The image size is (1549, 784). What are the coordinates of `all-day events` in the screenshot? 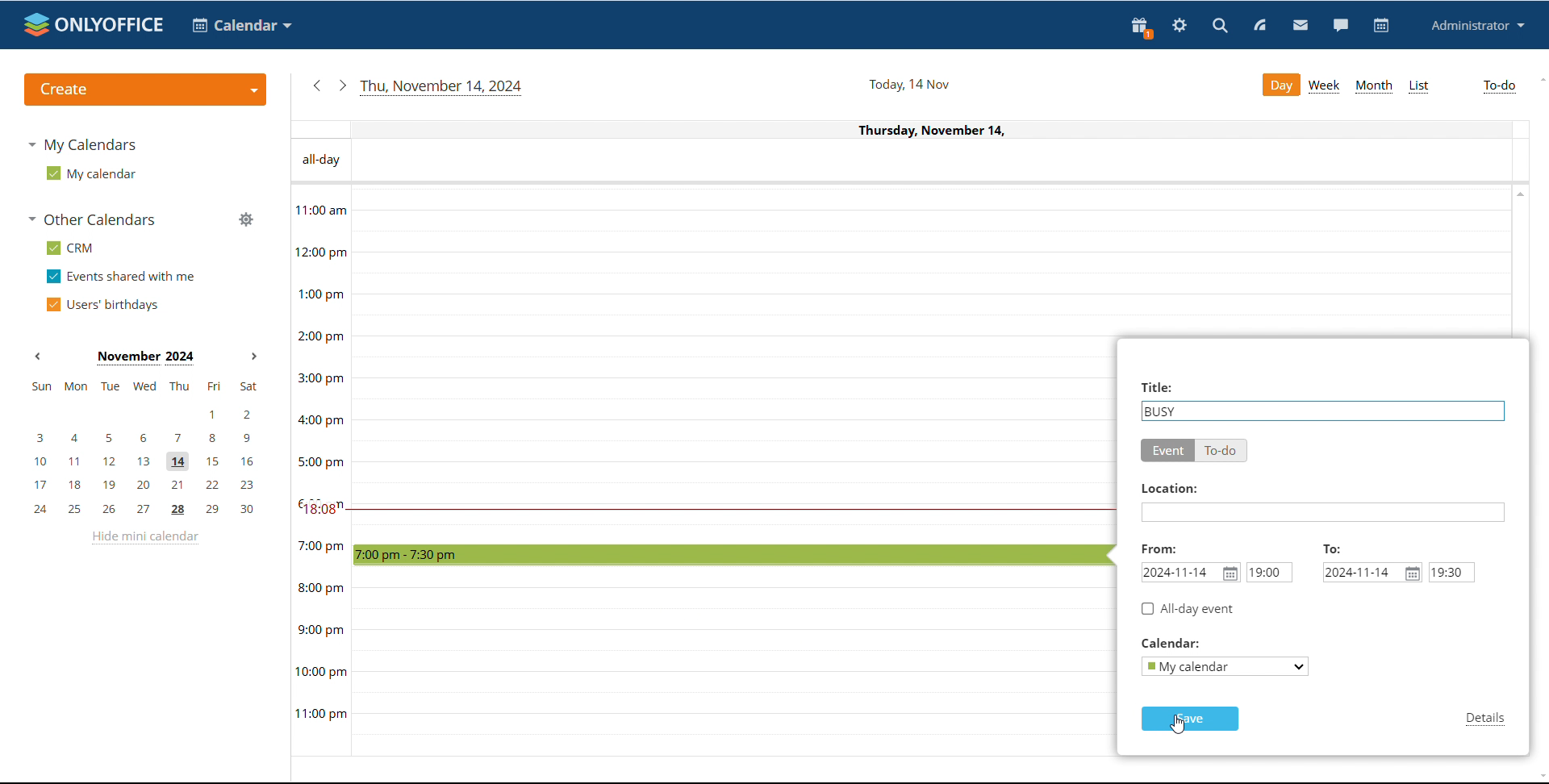 It's located at (943, 161).